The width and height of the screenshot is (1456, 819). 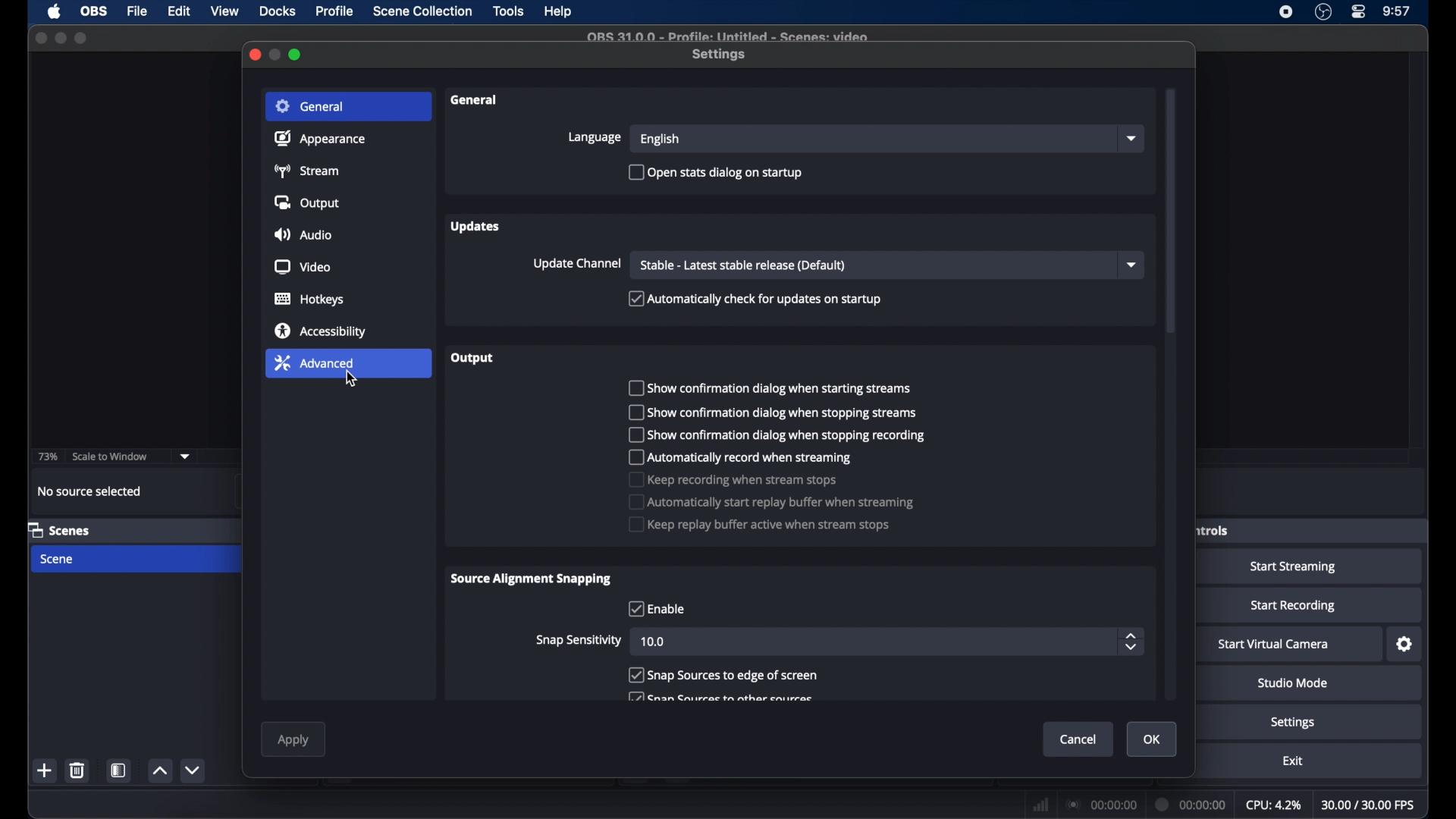 I want to click on checkbox, so click(x=722, y=698).